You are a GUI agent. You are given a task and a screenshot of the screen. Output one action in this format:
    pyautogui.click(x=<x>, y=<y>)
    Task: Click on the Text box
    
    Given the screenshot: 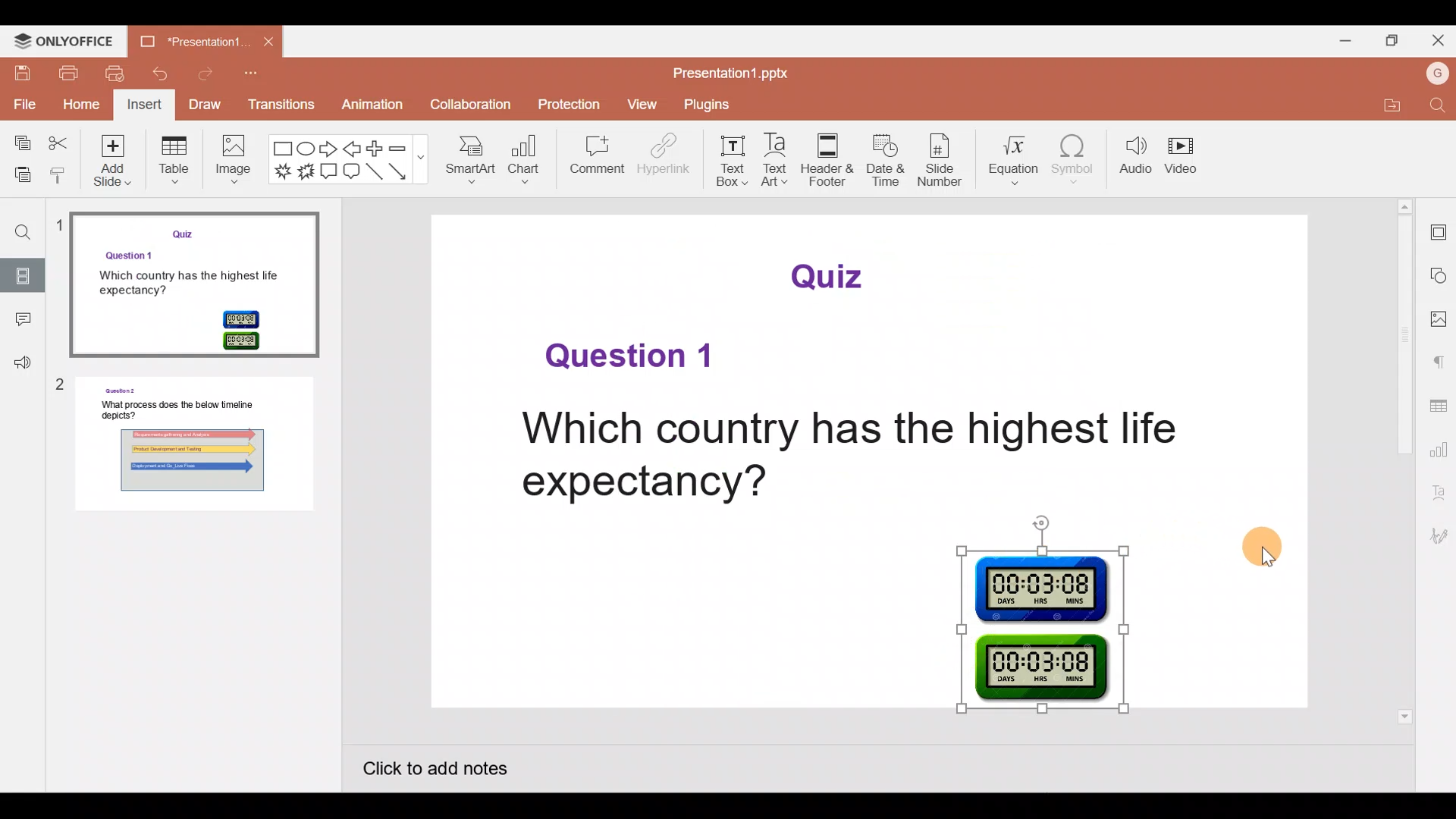 What is the action you would take?
    pyautogui.click(x=730, y=158)
    